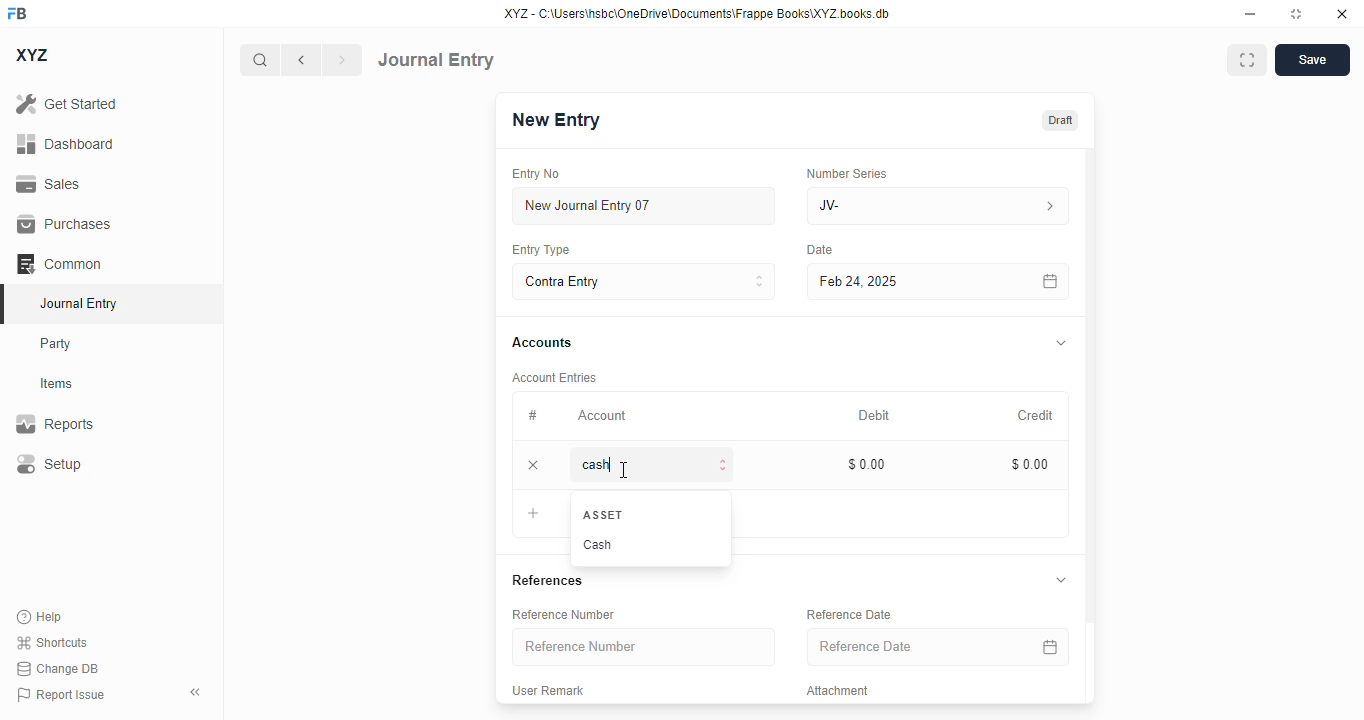  Describe the element at coordinates (566, 614) in the screenshot. I see `reference number` at that location.